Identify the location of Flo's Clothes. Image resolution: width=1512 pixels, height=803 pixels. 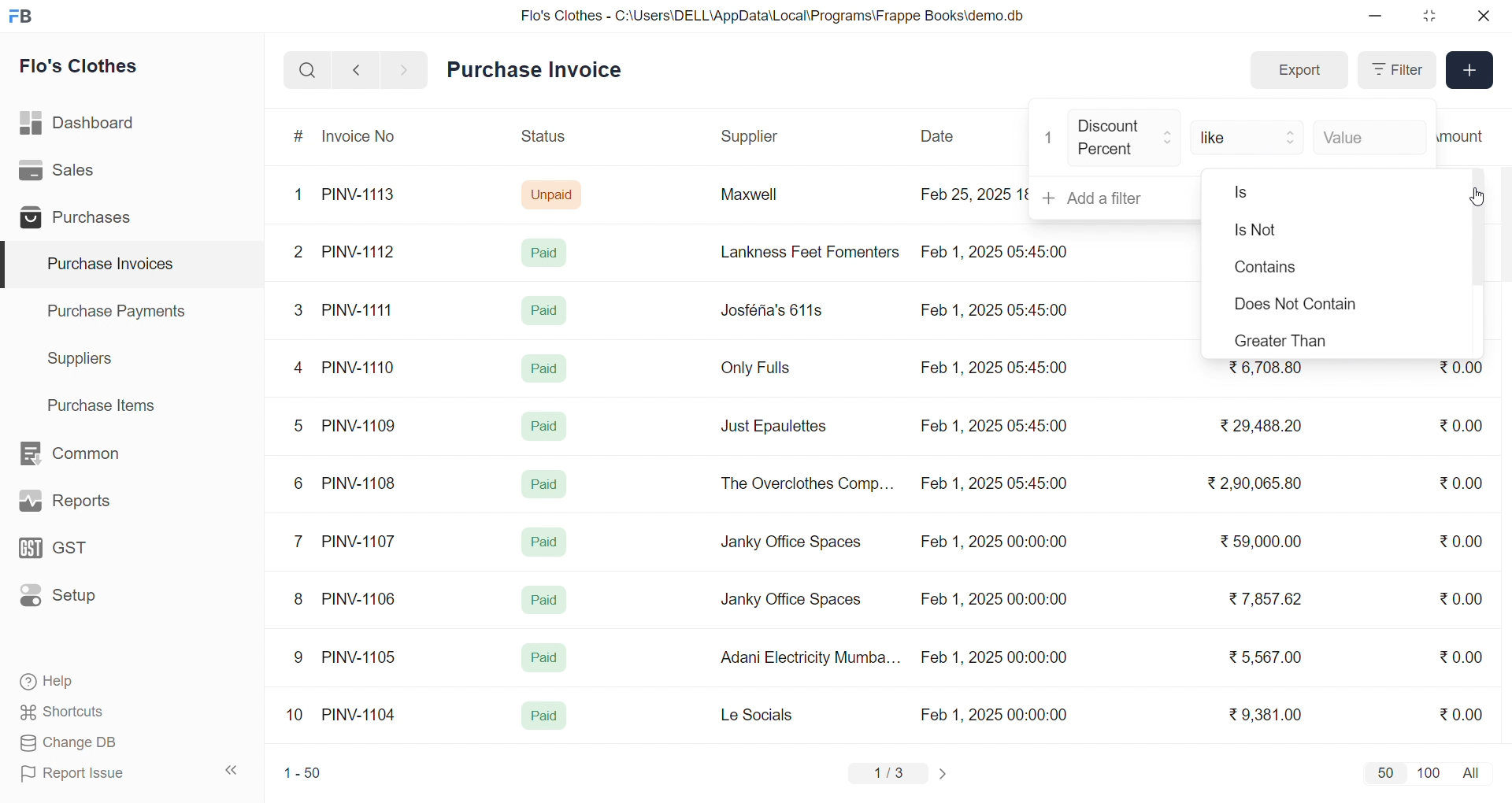
(90, 68).